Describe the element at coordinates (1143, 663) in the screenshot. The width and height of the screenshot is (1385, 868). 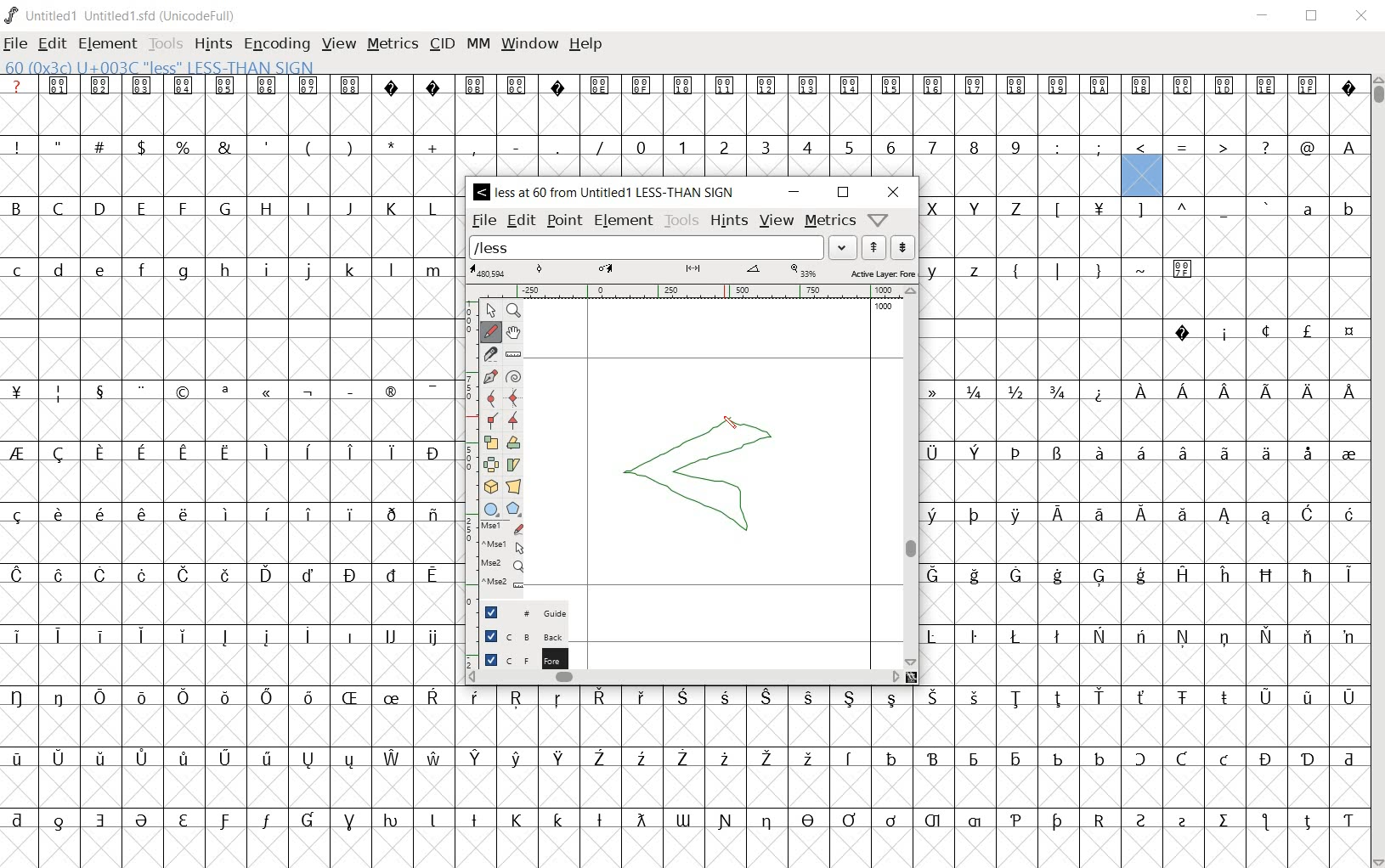
I see `empty cells` at that location.